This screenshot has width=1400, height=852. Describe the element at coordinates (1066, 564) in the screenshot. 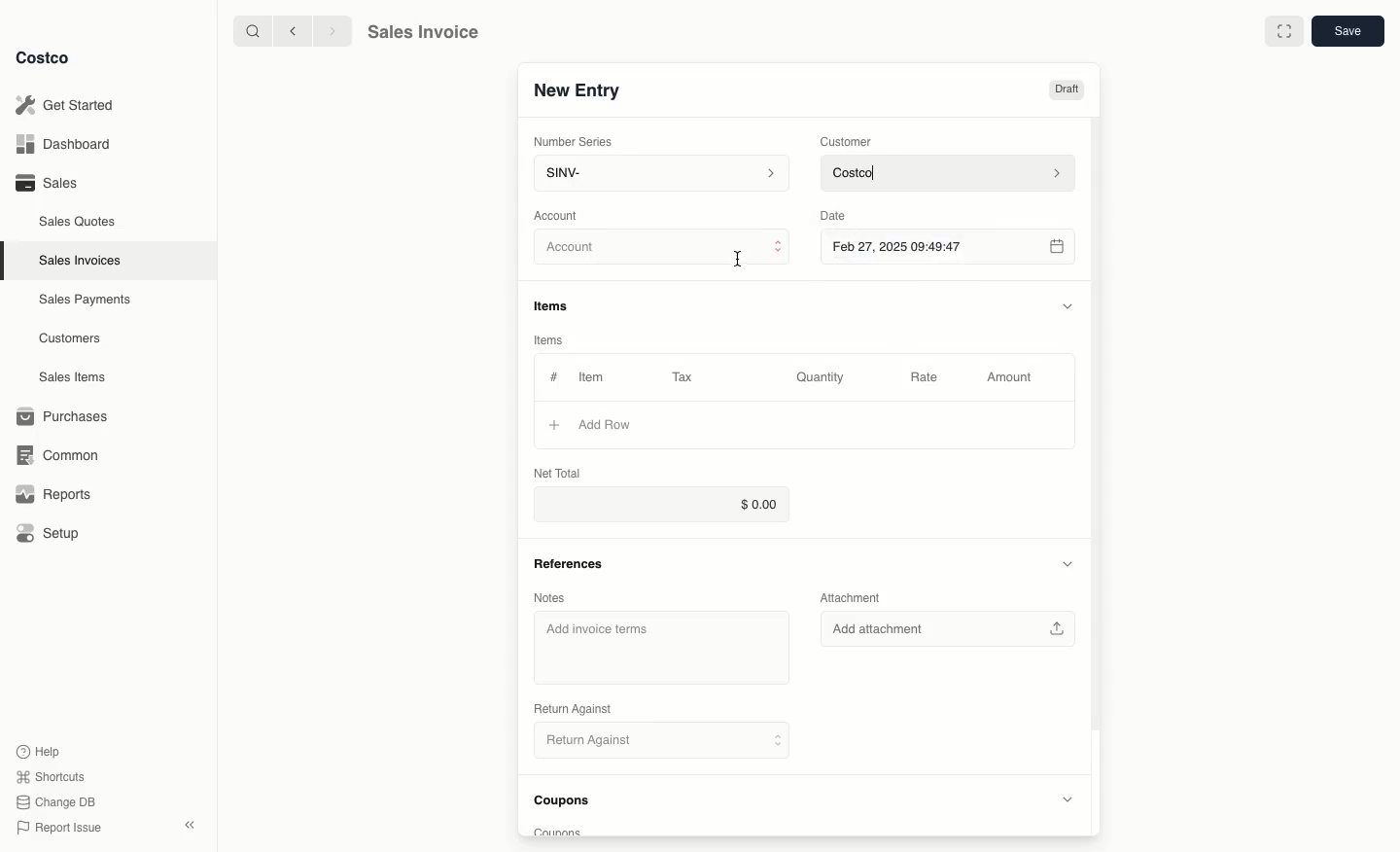

I see `Hide` at that location.